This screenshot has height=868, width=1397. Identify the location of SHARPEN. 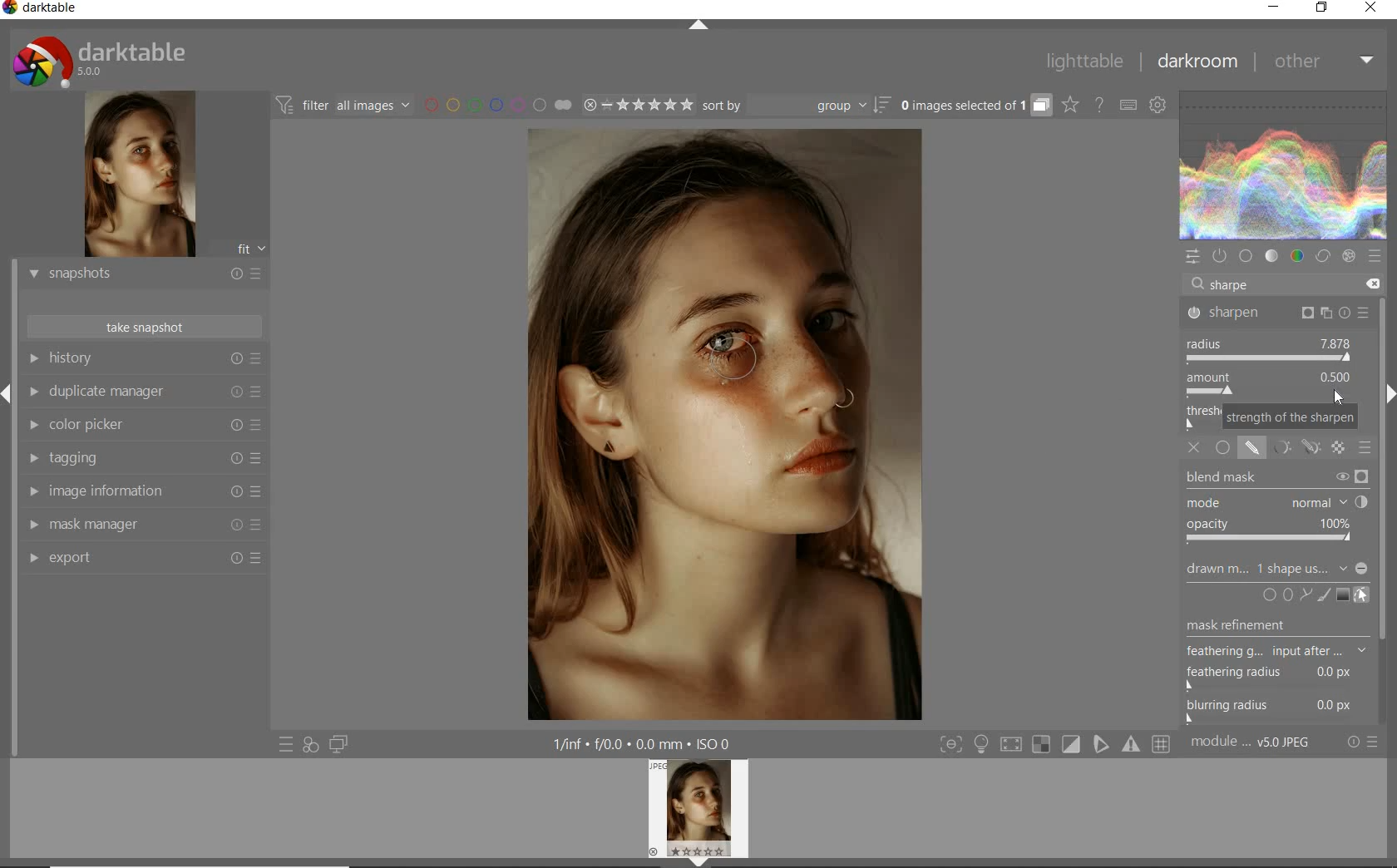
(1279, 314).